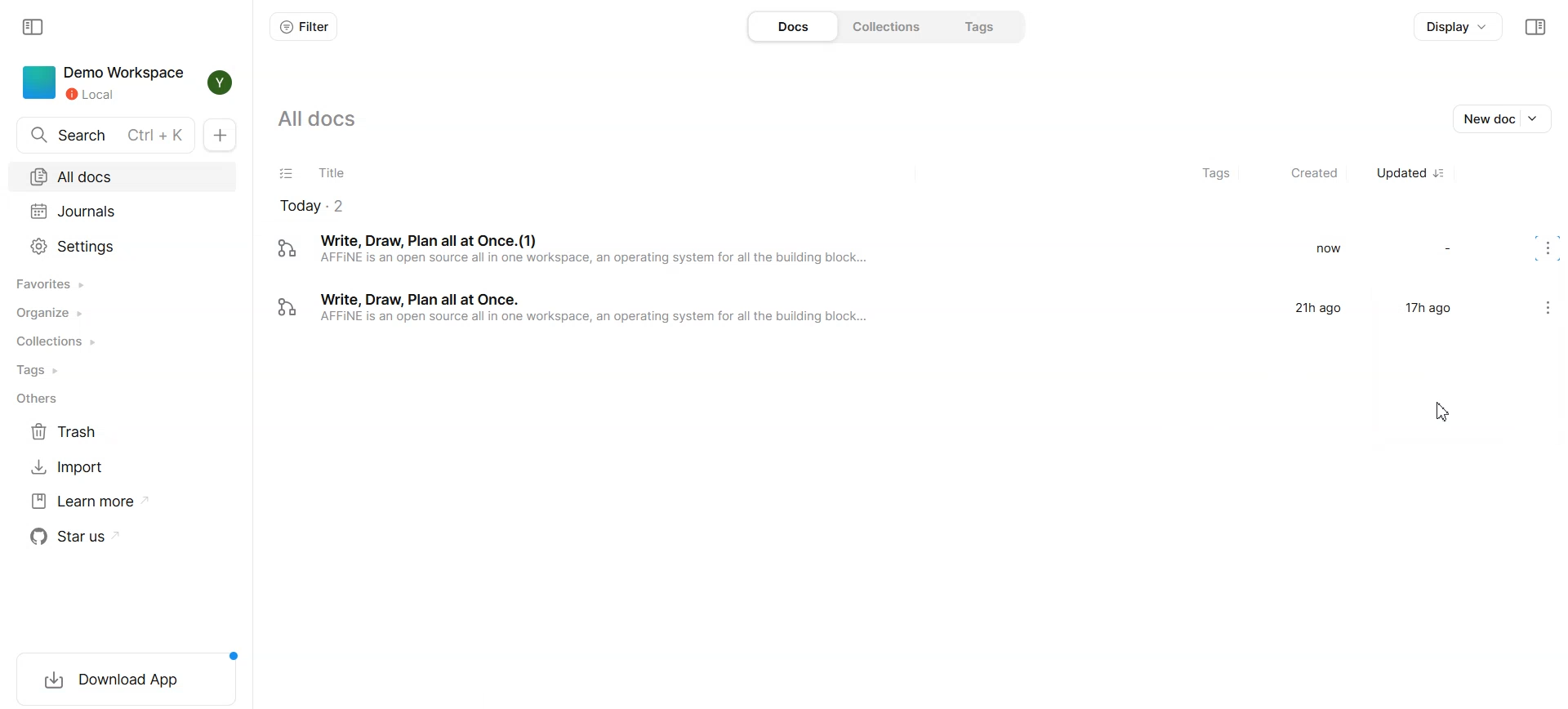 This screenshot has height=709, width=1568. Describe the element at coordinates (305, 26) in the screenshot. I see `Filter` at that location.